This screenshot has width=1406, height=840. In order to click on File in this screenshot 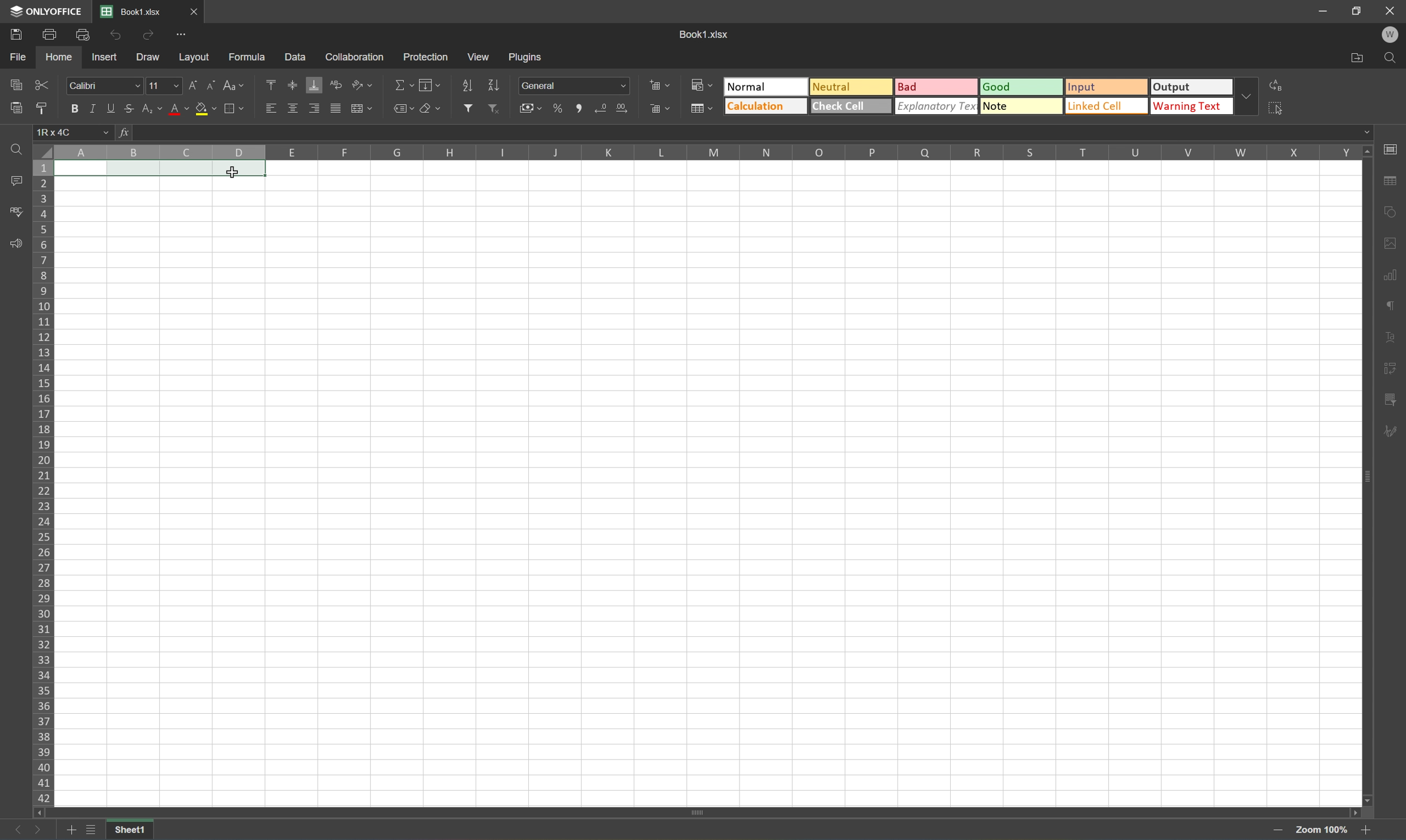, I will do `click(19, 58)`.